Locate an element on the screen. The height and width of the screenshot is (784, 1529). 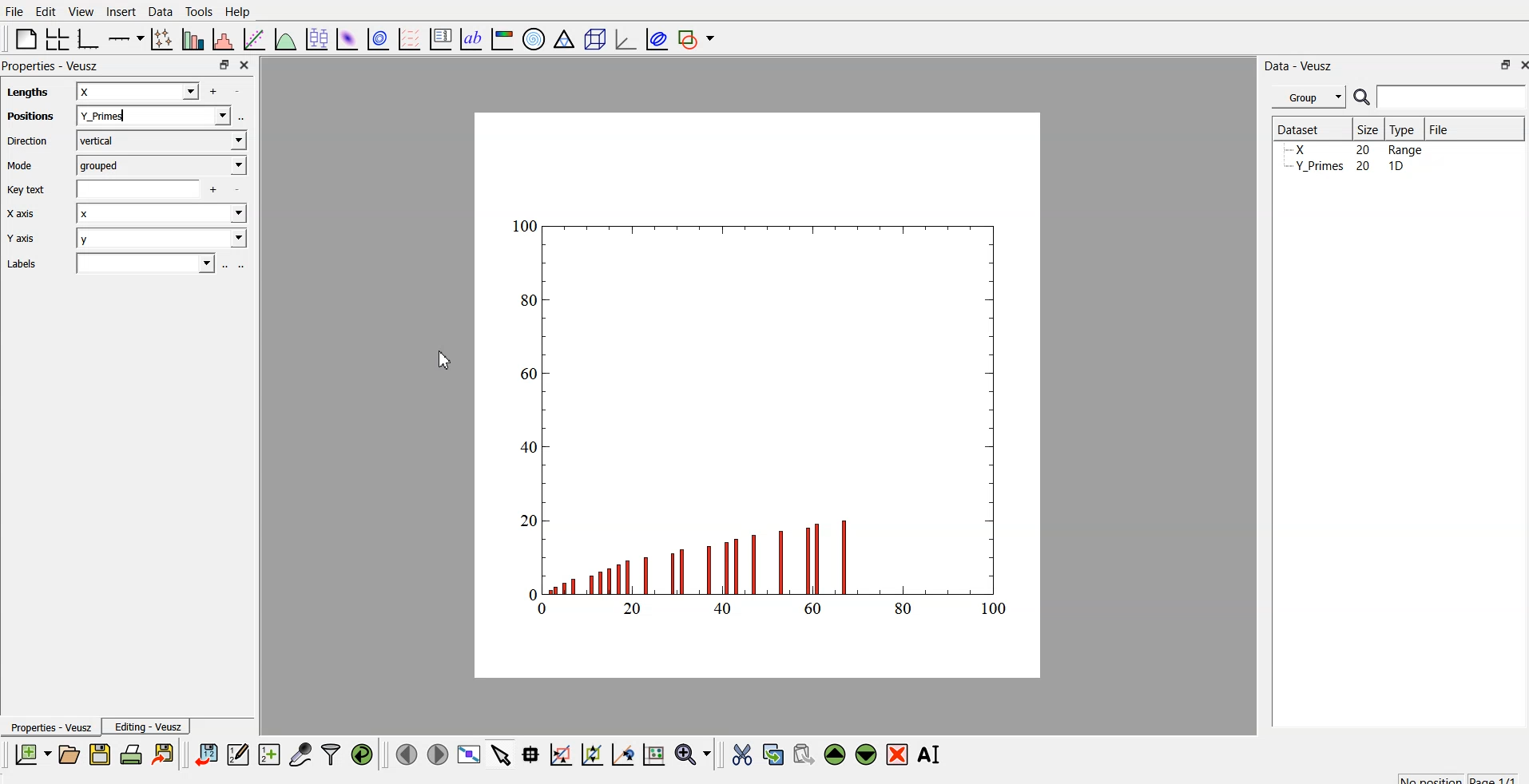
Group is located at coordinates (1311, 95).